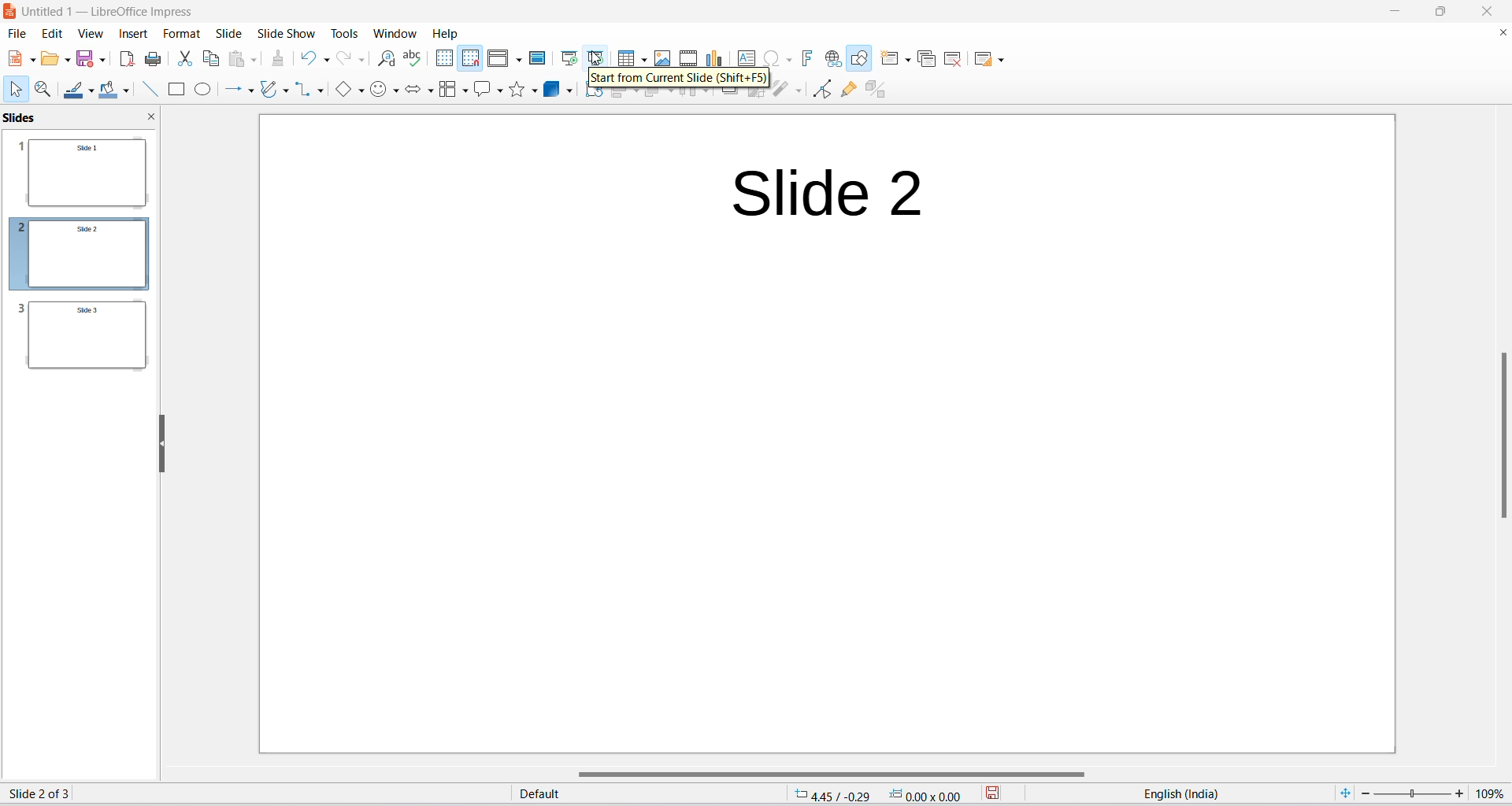 This screenshot has height=806, width=1512. I want to click on flowcharts, so click(451, 91).